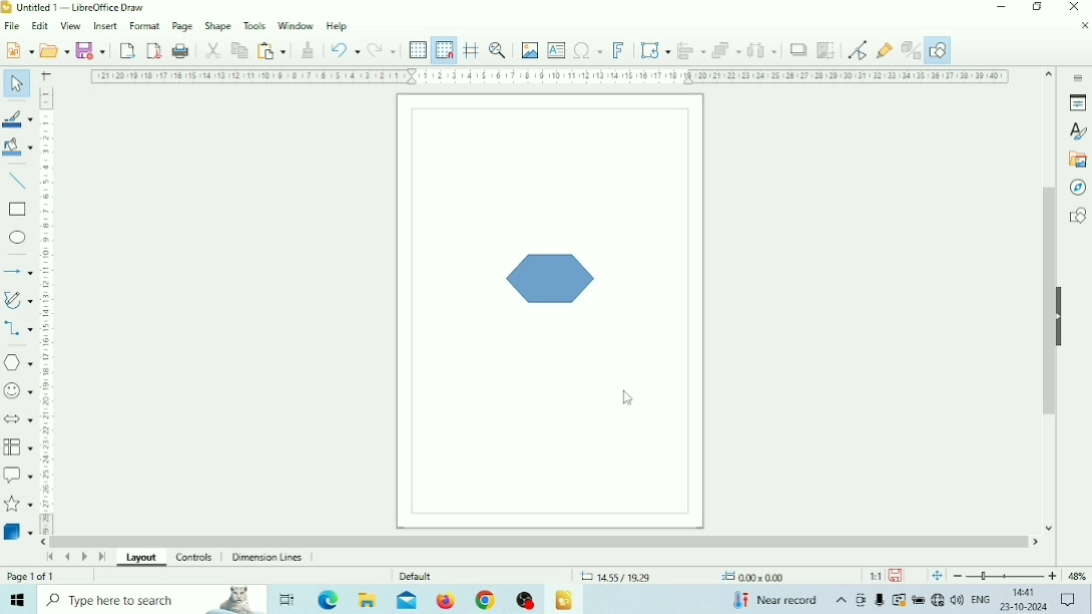 The image size is (1092, 614). Describe the element at coordinates (271, 50) in the screenshot. I see `Paste` at that location.